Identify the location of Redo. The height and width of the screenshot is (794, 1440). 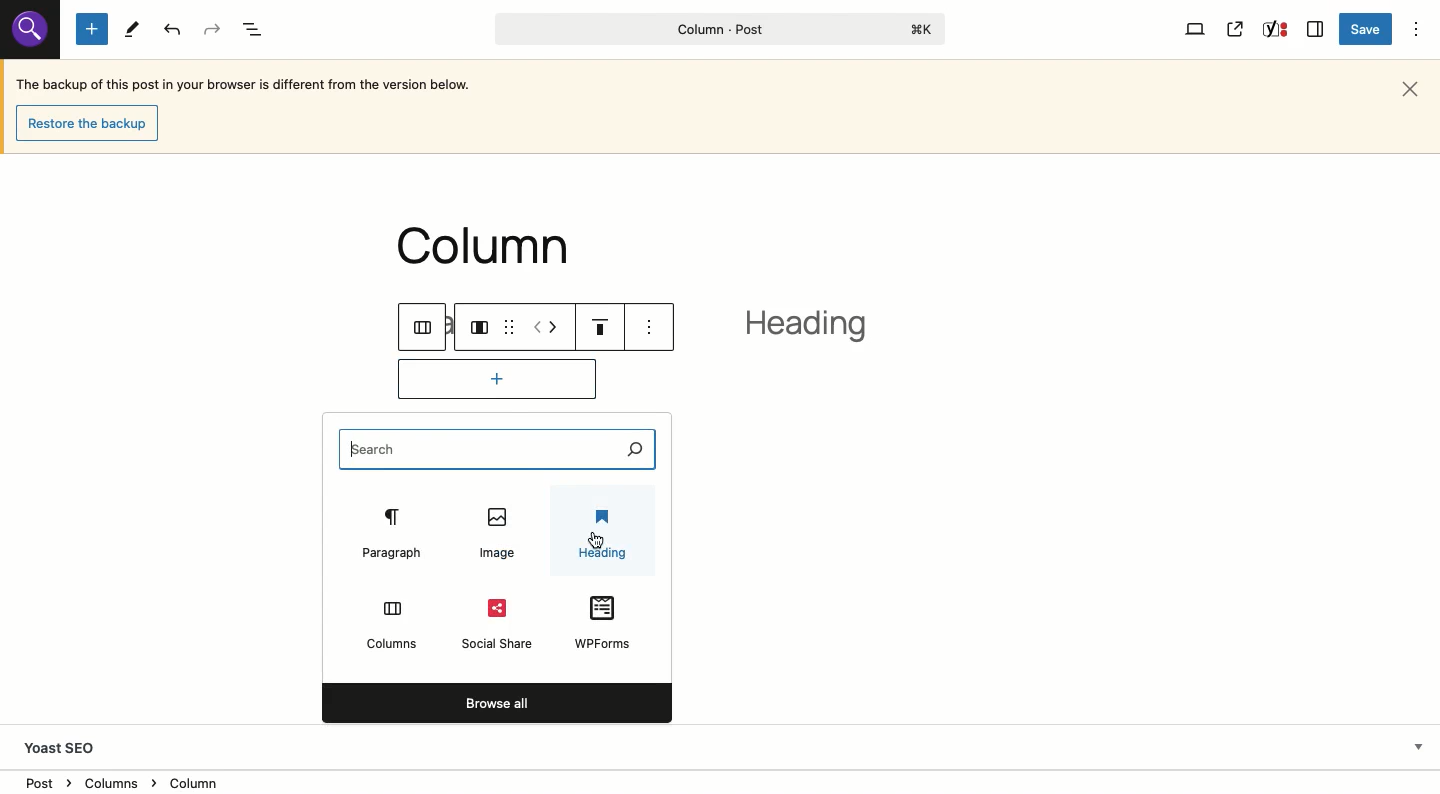
(213, 30).